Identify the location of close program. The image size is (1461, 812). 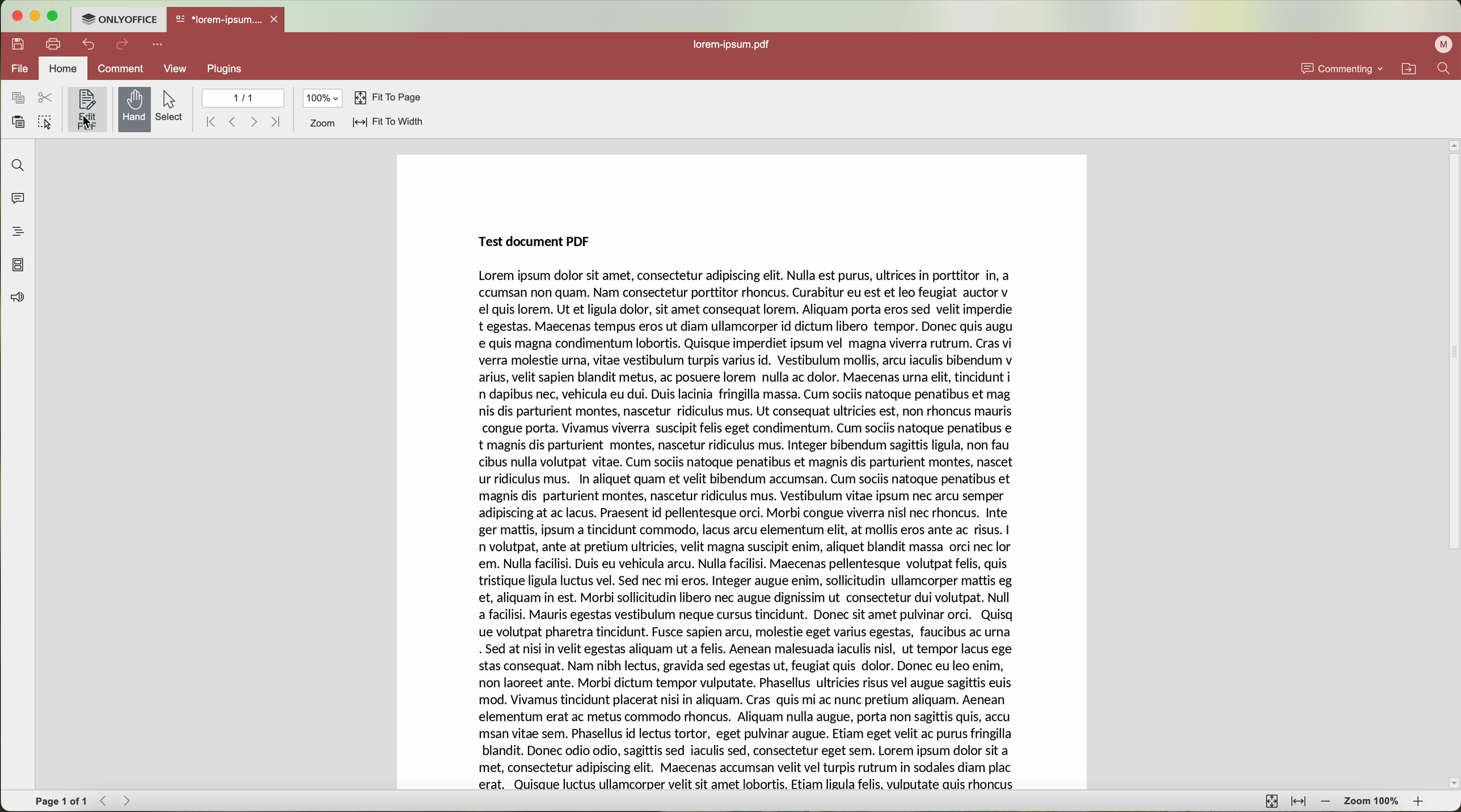
(18, 16).